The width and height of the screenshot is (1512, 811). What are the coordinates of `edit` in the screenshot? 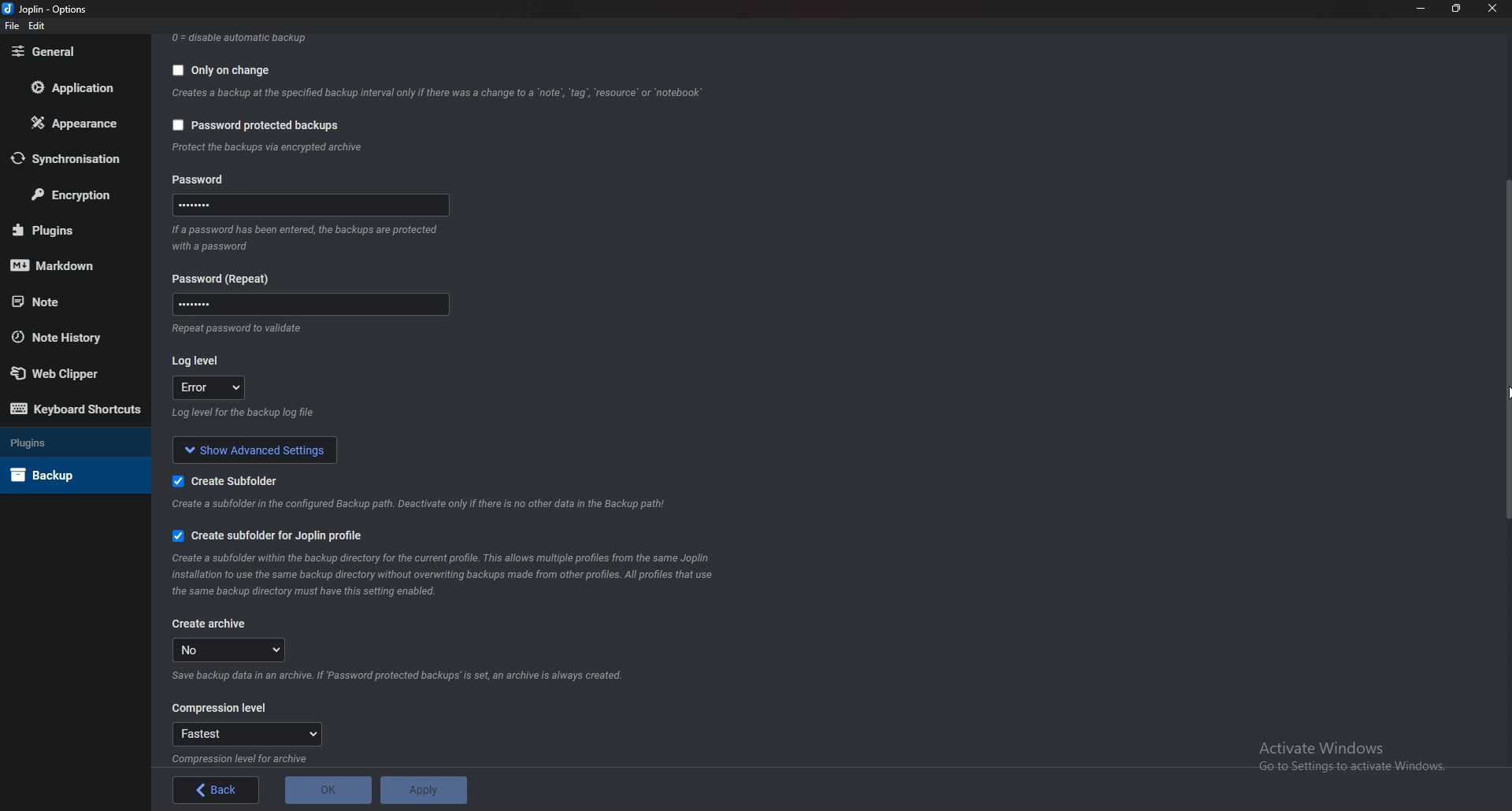 It's located at (38, 26).